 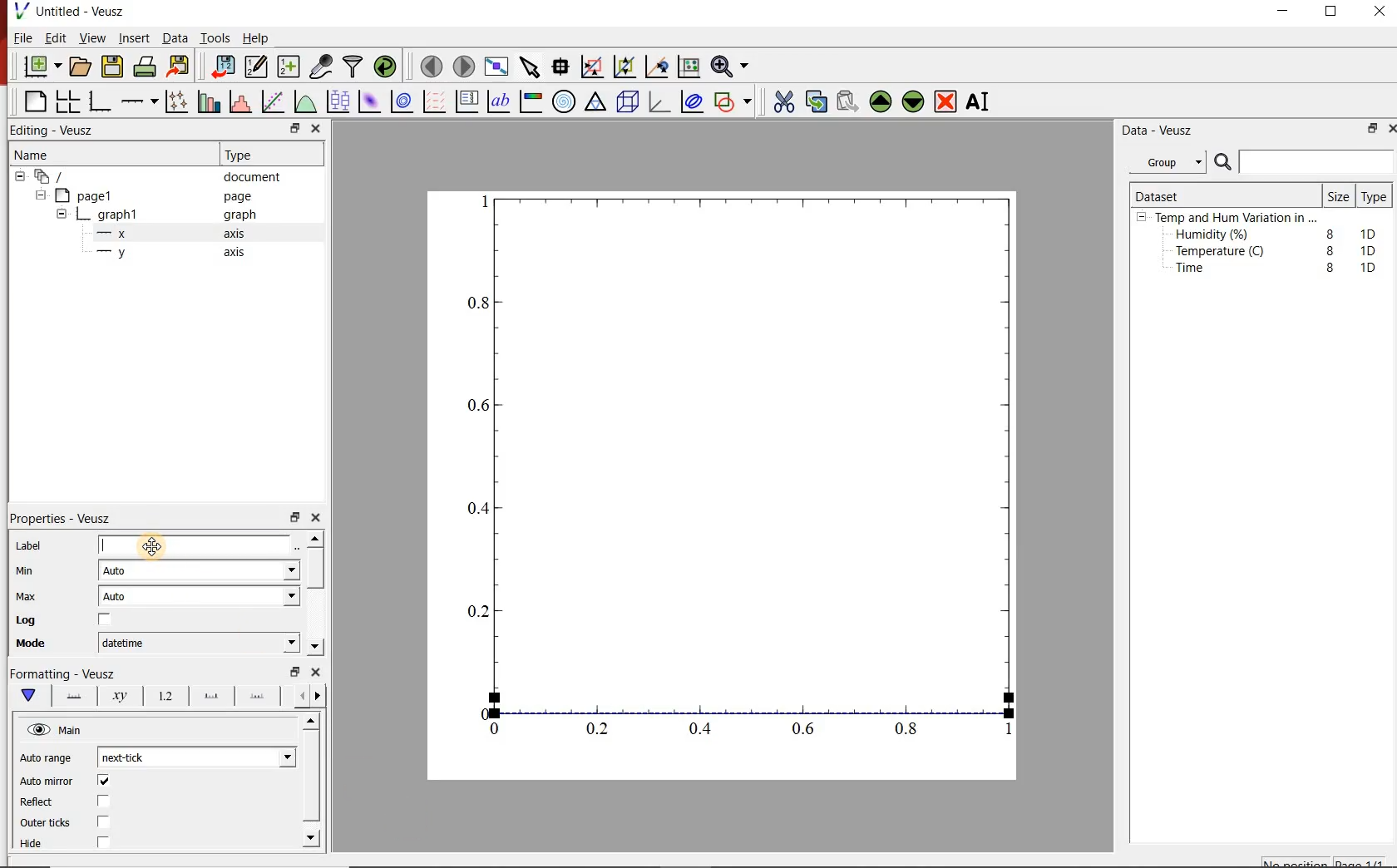 What do you see at coordinates (30, 697) in the screenshot?
I see `main formatting` at bounding box center [30, 697].